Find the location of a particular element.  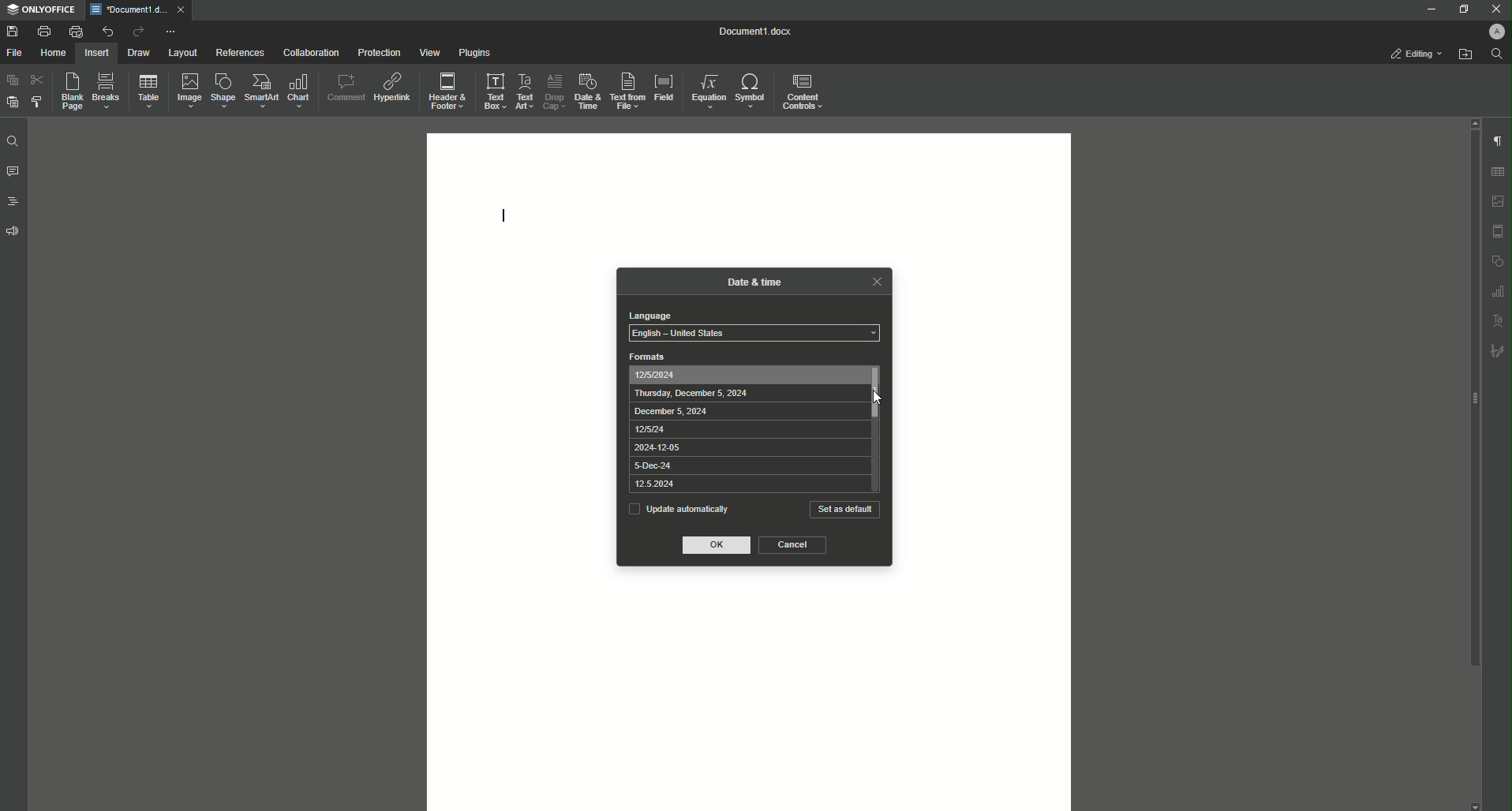

formats is located at coordinates (648, 357).